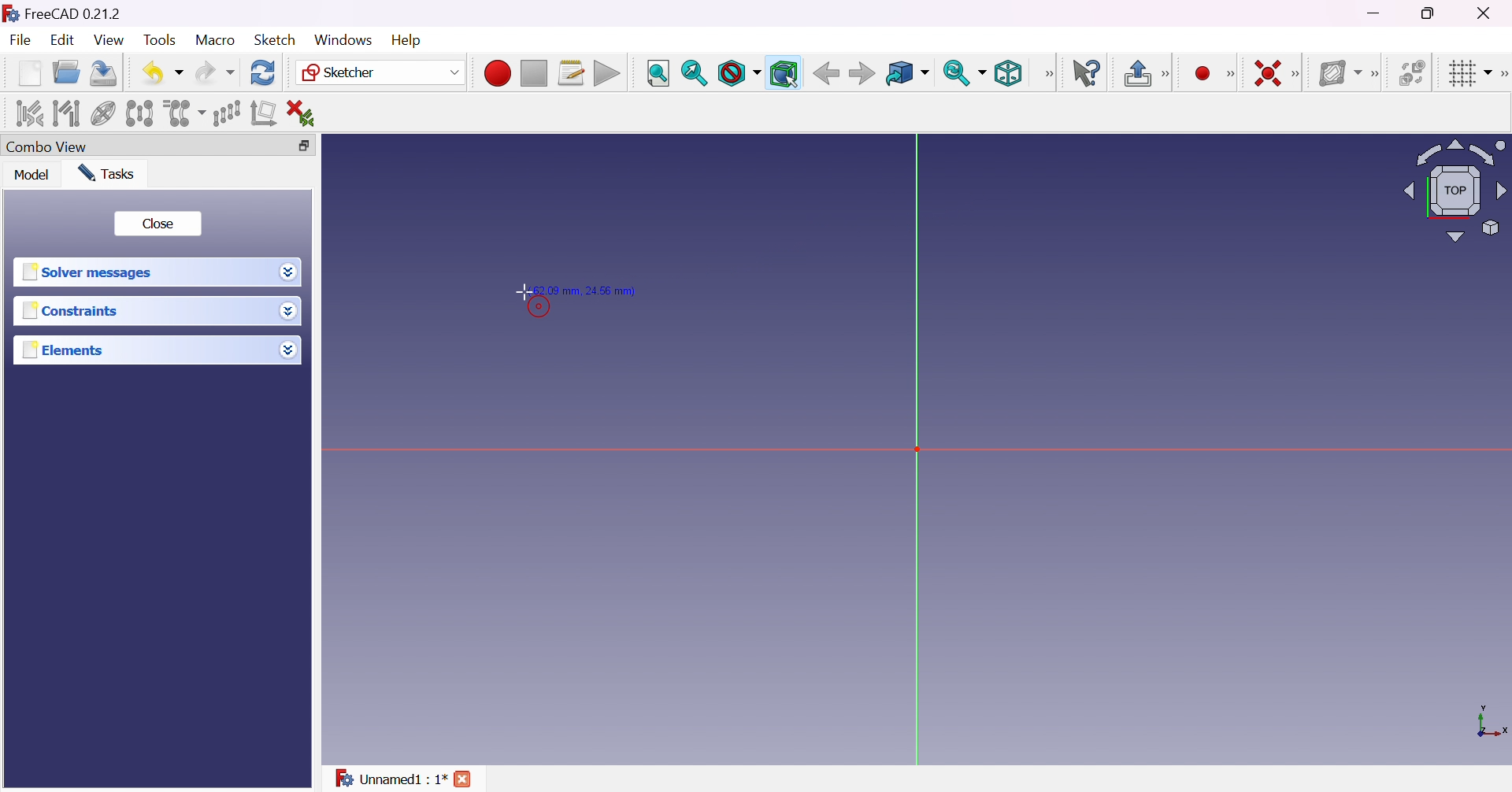  What do you see at coordinates (658, 74) in the screenshot?
I see `Fit all` at bounding box center [658, 74].